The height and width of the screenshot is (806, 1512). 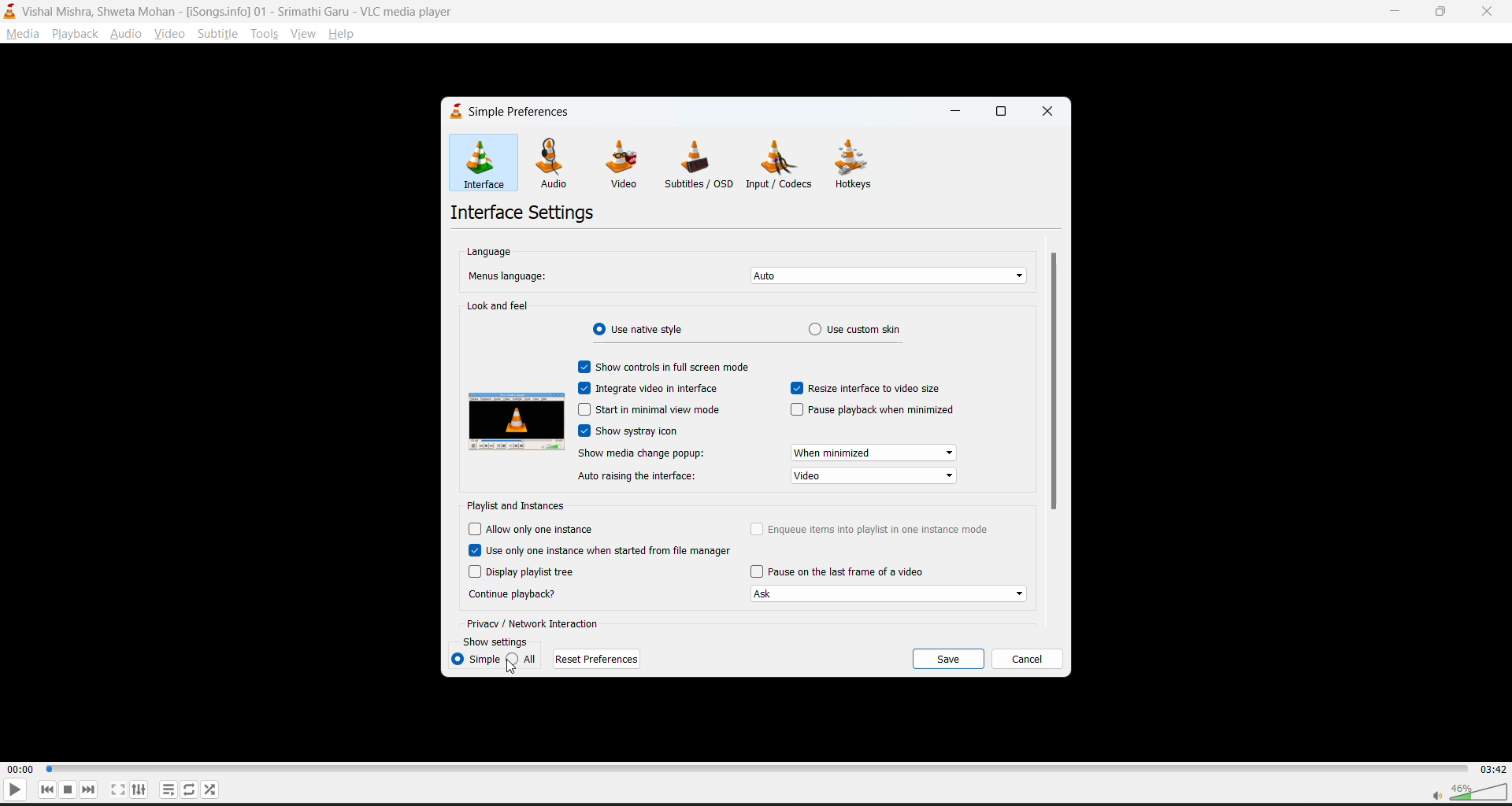 I want to click on tools, so click(x=261, y=35).